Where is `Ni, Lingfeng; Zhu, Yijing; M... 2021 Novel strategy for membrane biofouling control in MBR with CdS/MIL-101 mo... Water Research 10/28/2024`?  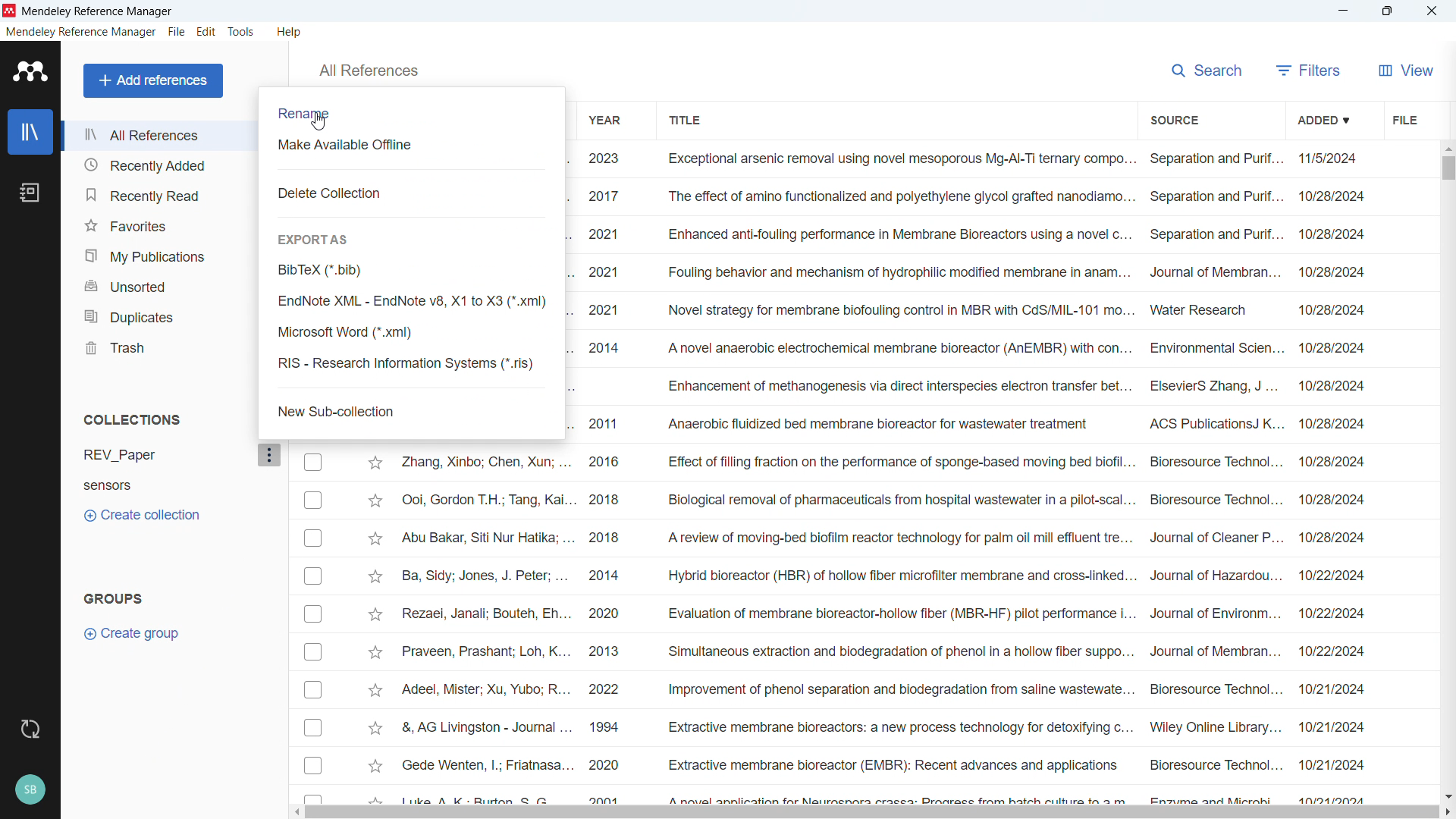 Ni, Lingfeng; Zhu, Yijing; M... 2021 Novel strategy for membrane biofouling control in MBR with CdS/MIL-101 mo... Water Research 10/28/2024 is located at coordinates (971, 310).